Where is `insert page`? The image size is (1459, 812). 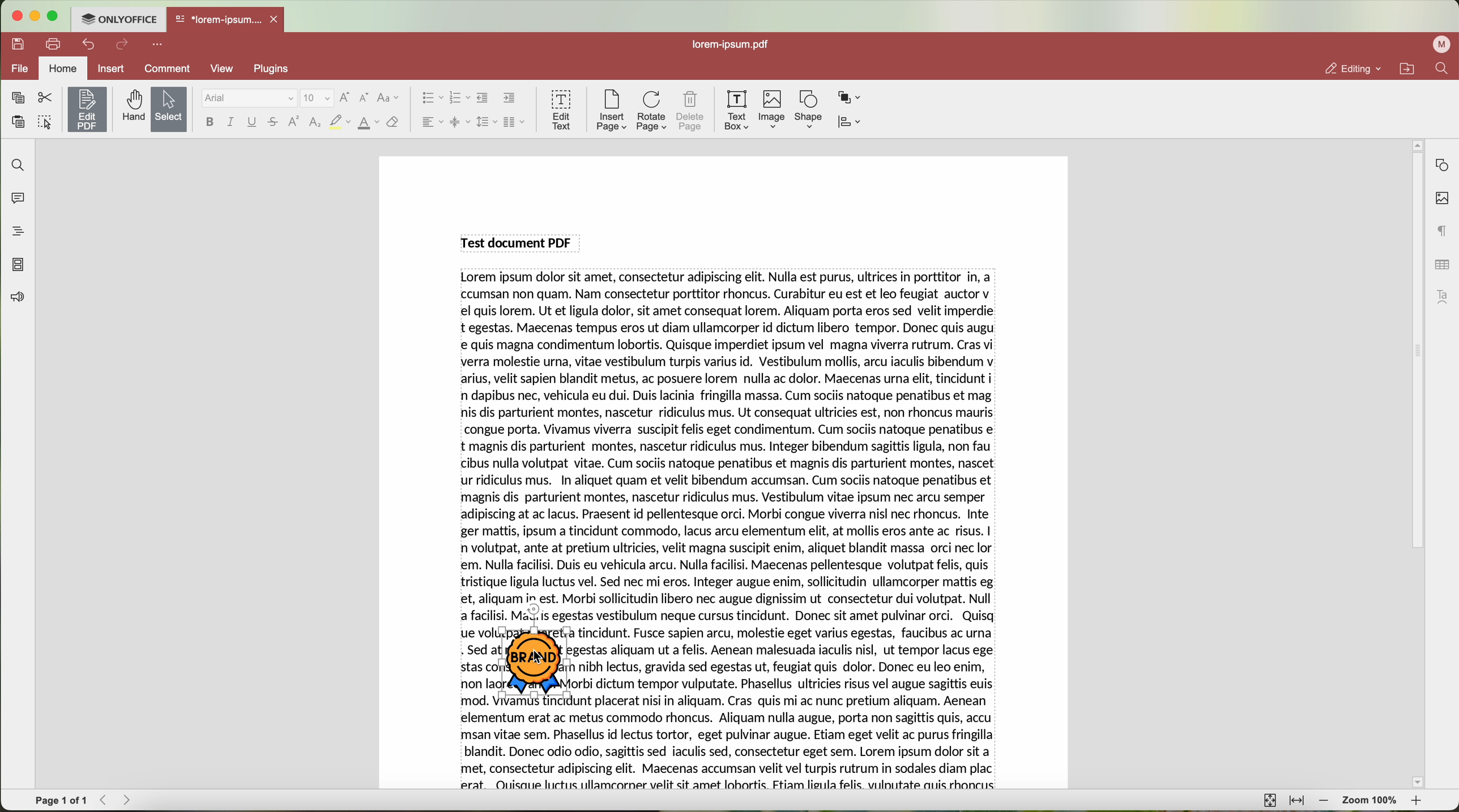
insert page is located at coordinates (611, 110).